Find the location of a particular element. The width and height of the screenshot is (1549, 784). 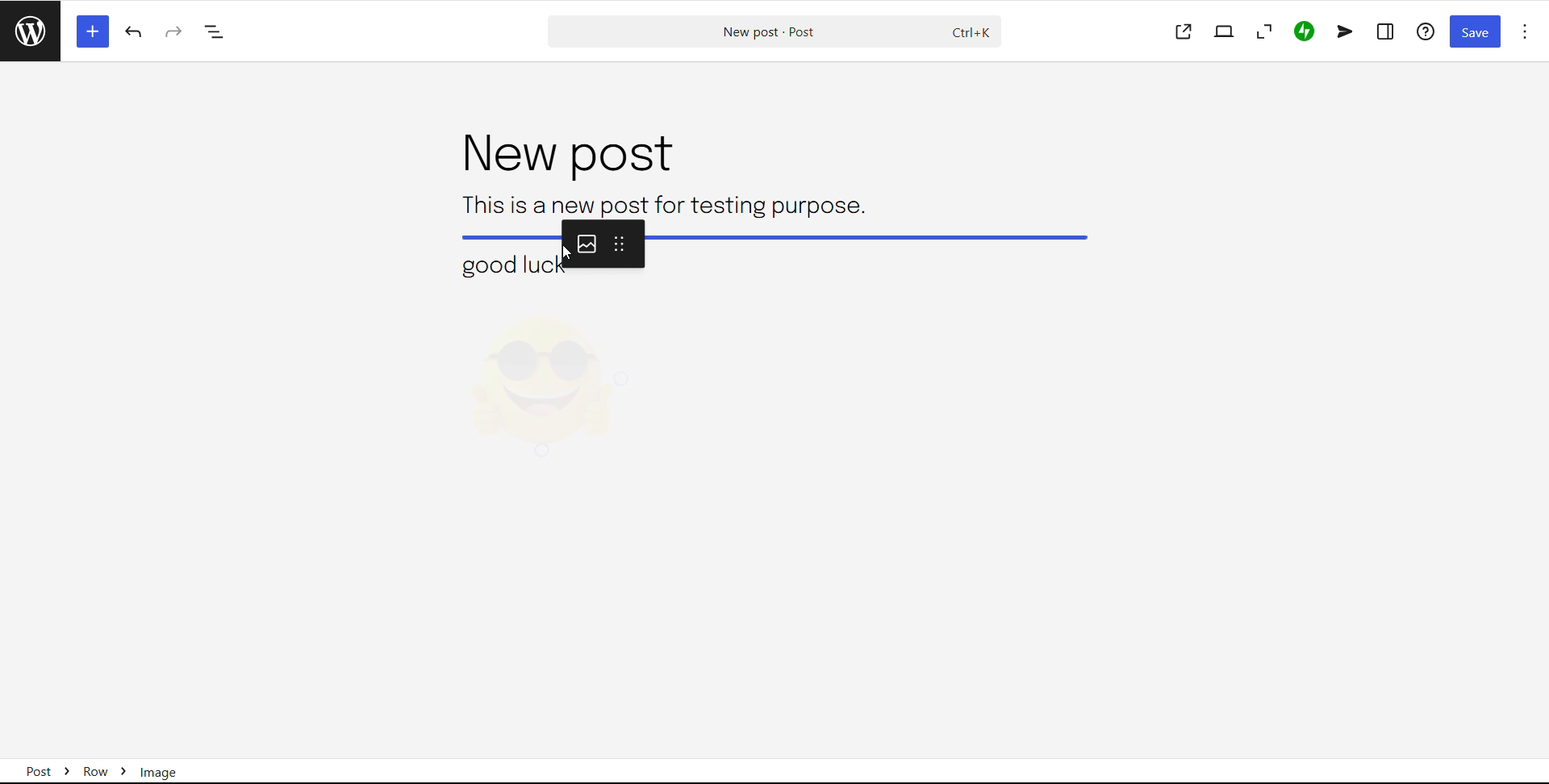

block inserter is located at coordinates (91, 31).